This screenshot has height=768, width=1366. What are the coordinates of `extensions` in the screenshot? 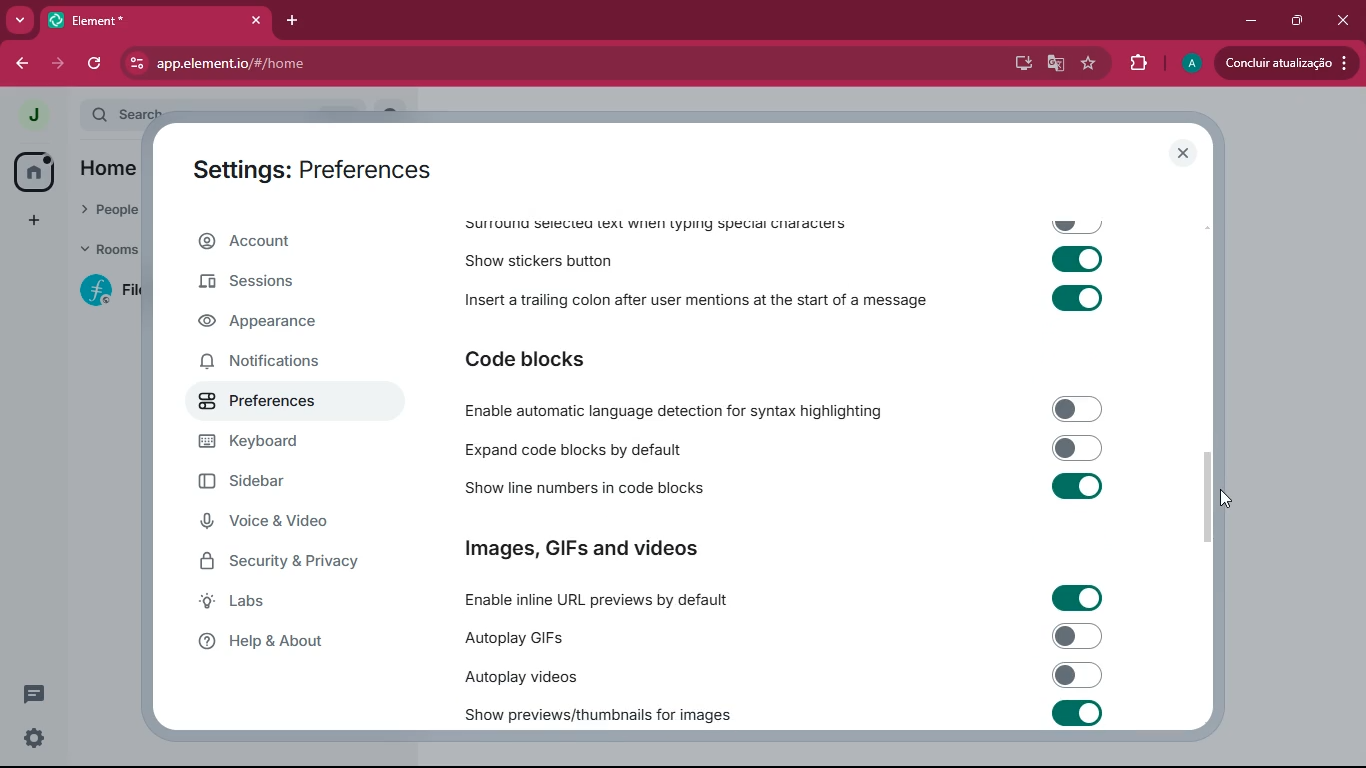 It's located at (1135, 63).